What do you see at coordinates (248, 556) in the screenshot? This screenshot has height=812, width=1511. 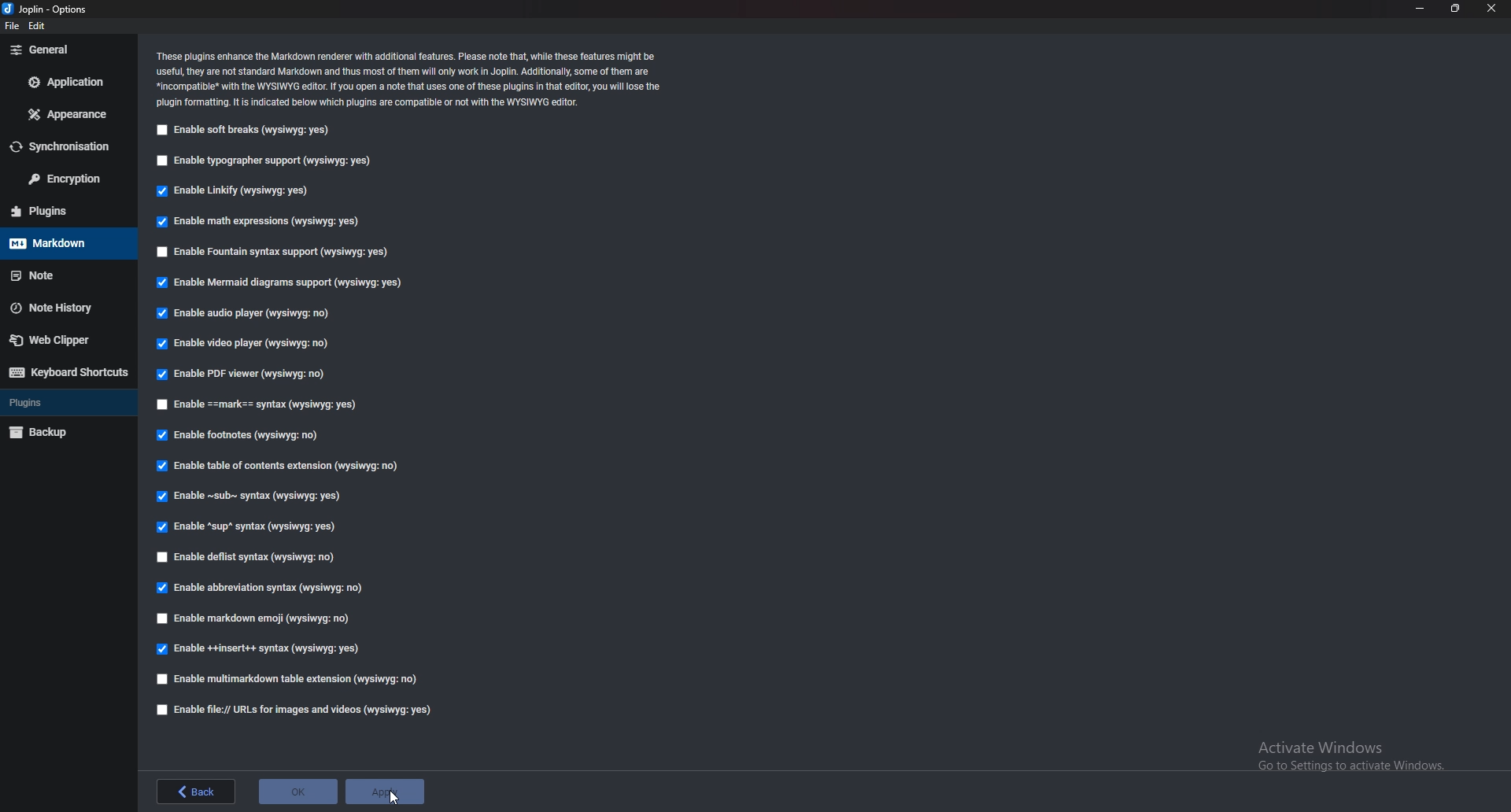 I see `Enable deflist syntax` at bounding box center [248, 556].